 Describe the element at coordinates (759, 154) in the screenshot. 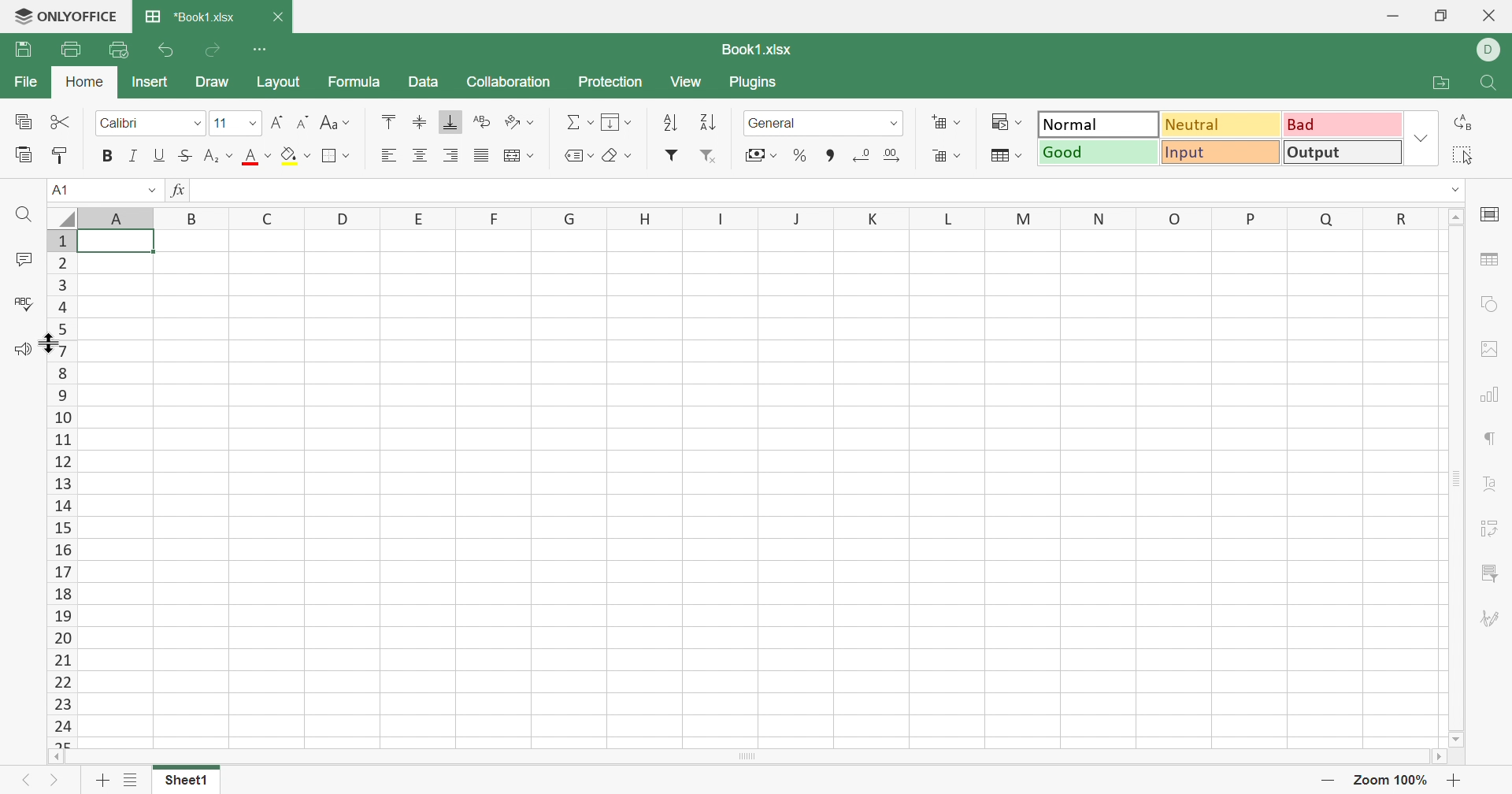

I see `Accounting style` at that location.